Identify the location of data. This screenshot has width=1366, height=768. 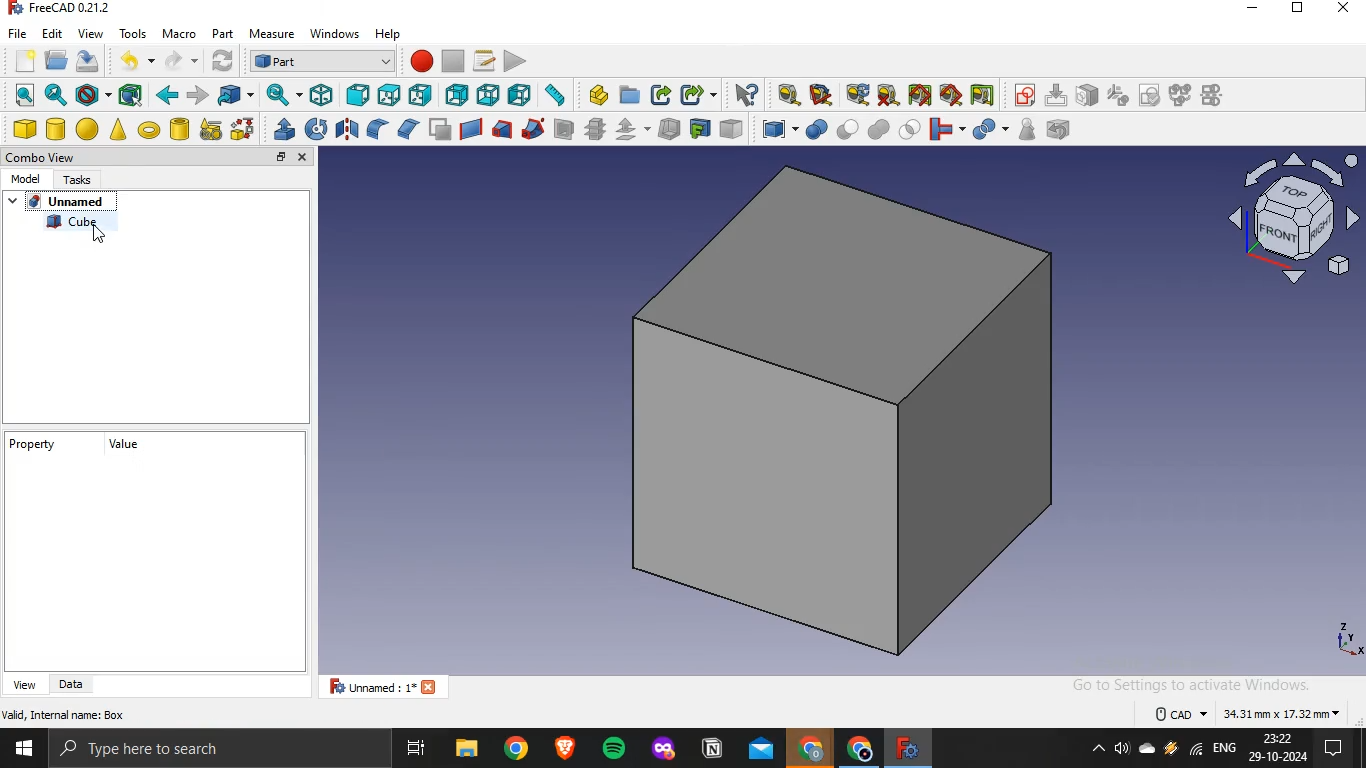
(73, 684).